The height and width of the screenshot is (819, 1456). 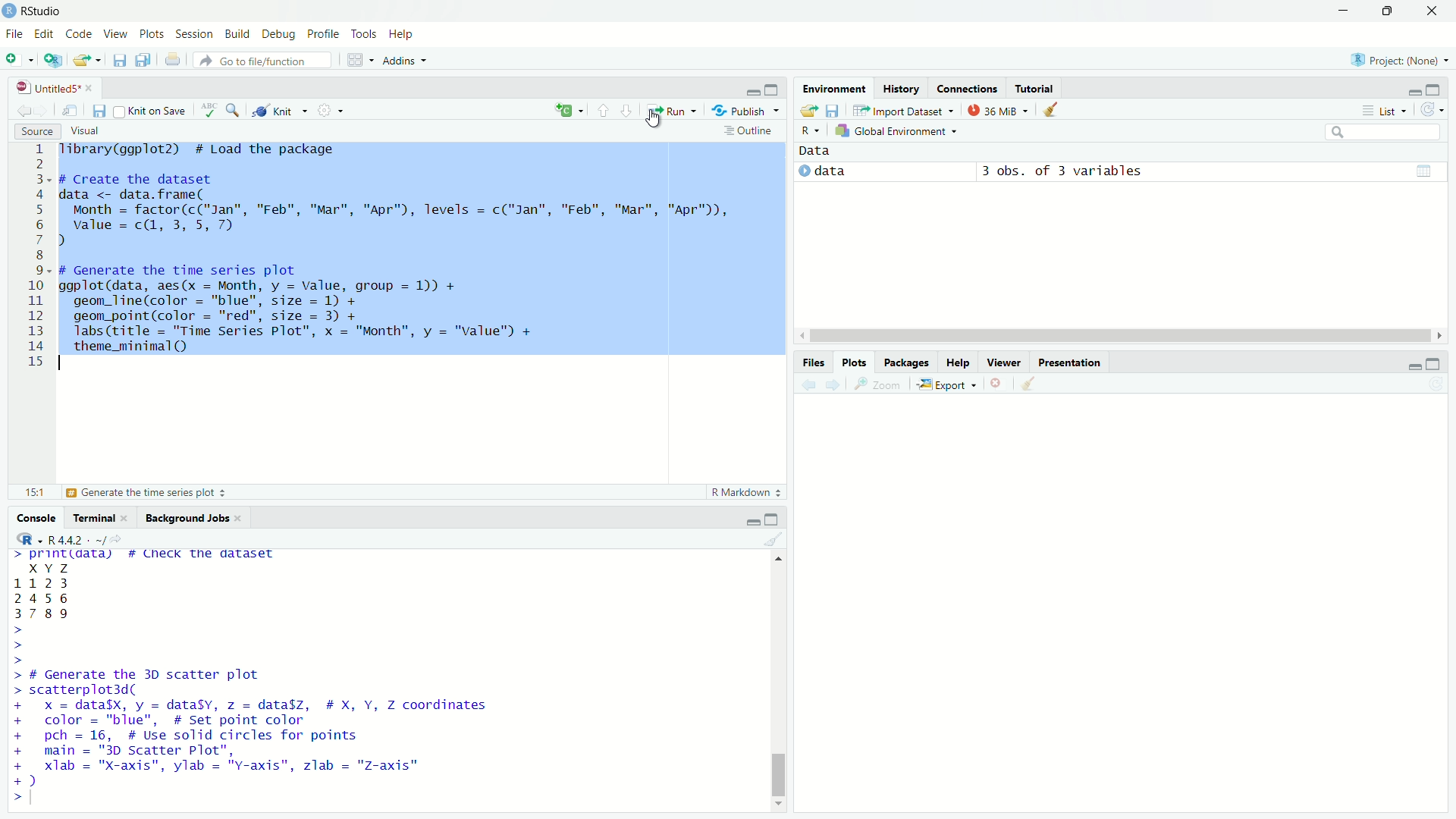 I want to click on refresh the list of objects in the environment, so click(x=1437, y=111).